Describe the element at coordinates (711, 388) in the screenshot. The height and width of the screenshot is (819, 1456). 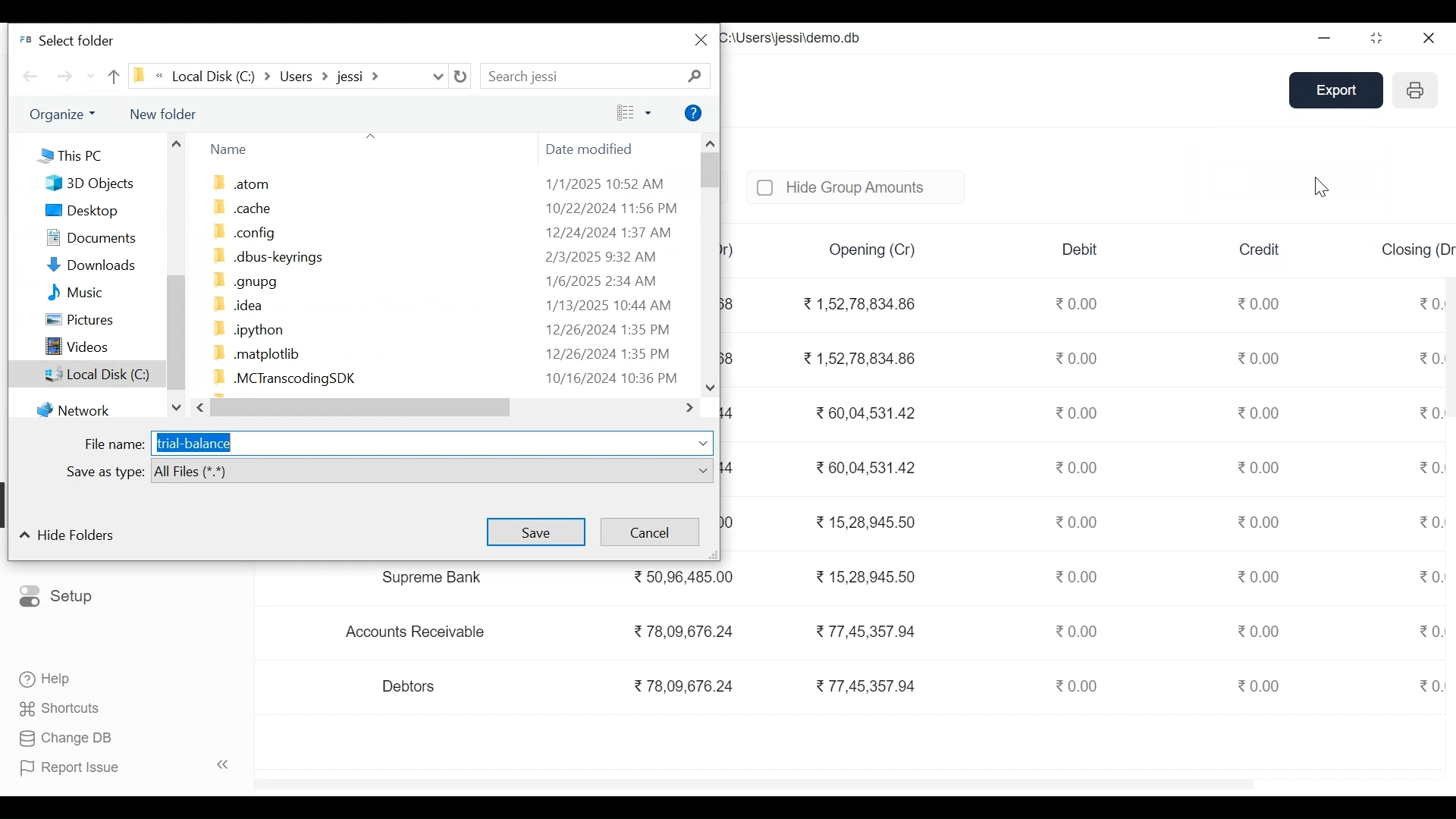
I see `Scroll down` at that location.